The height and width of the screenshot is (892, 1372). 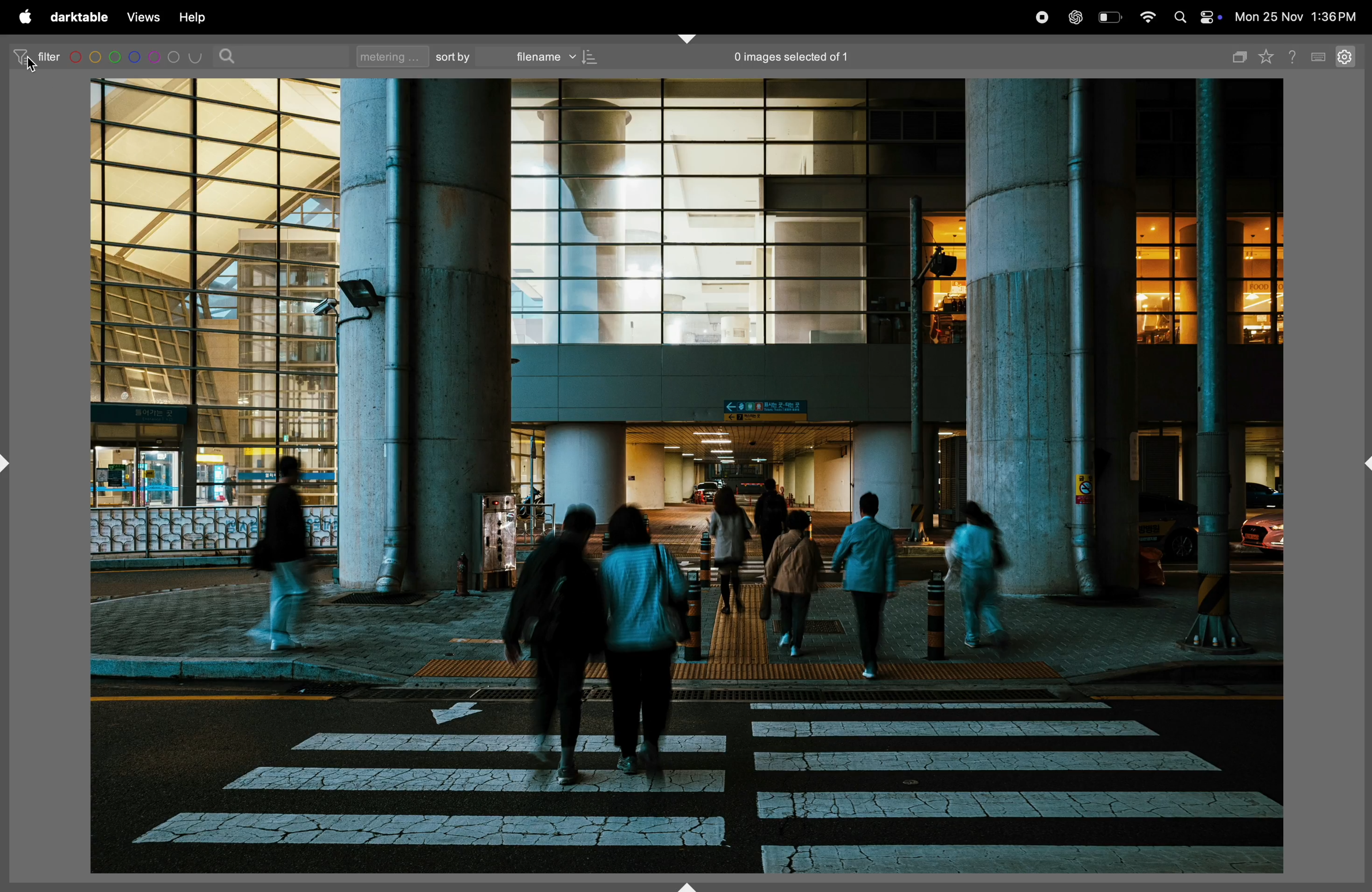 What do you see at coordinates (229, 56) in the screenshot?
I see `search` at bounding box center [229, 56].